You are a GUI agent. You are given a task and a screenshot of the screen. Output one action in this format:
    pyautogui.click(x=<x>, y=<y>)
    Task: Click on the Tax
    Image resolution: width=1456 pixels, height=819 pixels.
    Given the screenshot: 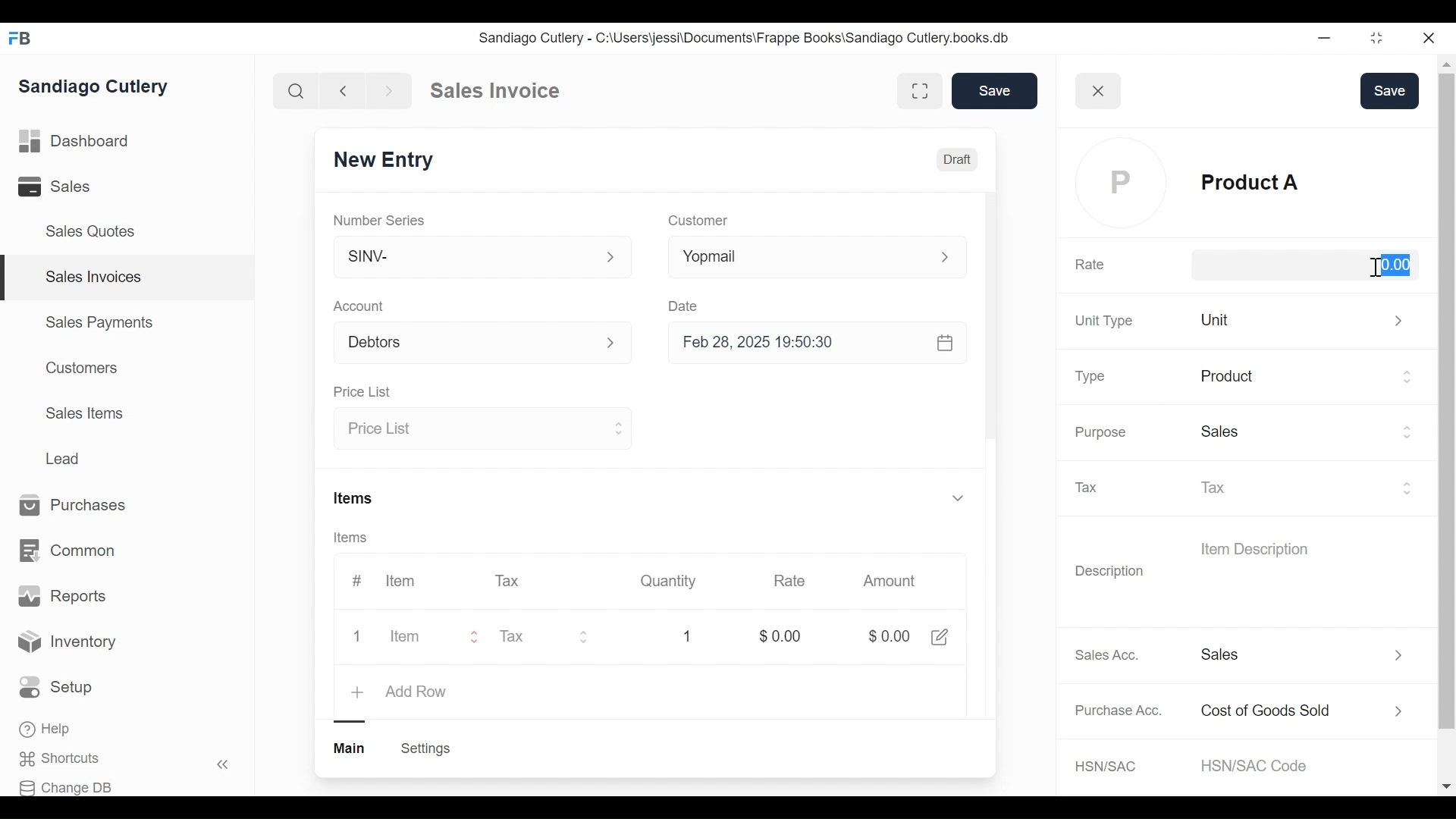 What is the action you would take?
    pyautogui.click(x=1308, y=486)
    